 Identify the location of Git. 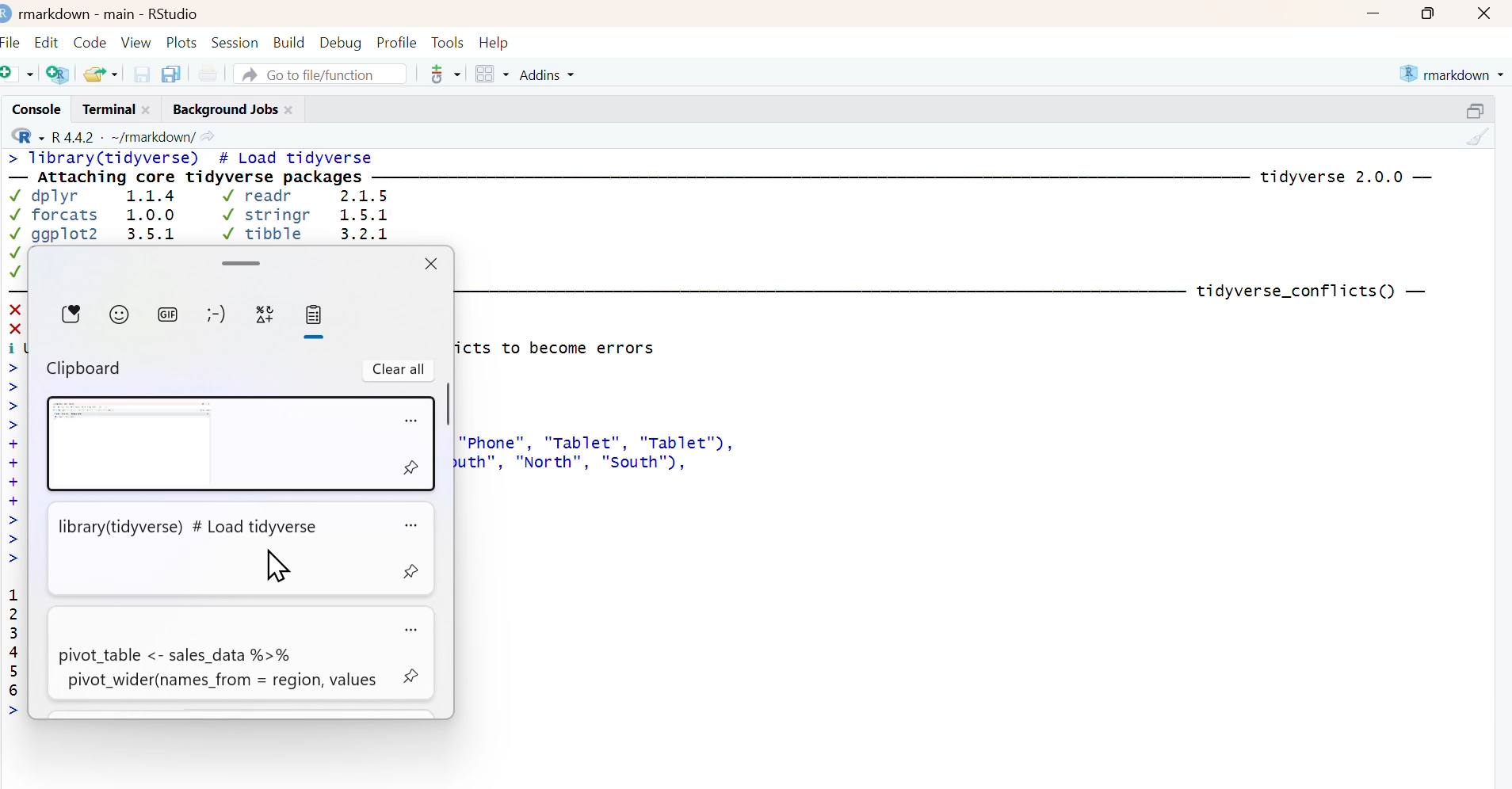
(444, 75).